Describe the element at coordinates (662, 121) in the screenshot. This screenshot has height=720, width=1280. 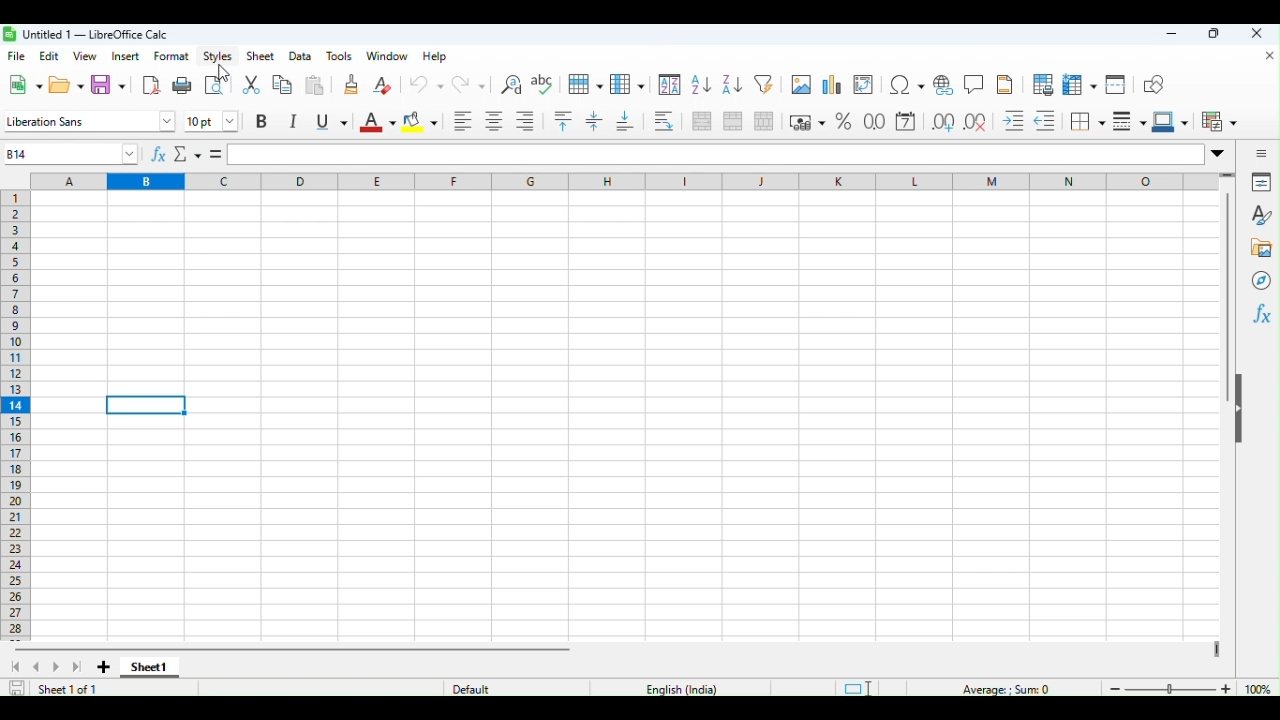
I see `wRap text ` at that location.